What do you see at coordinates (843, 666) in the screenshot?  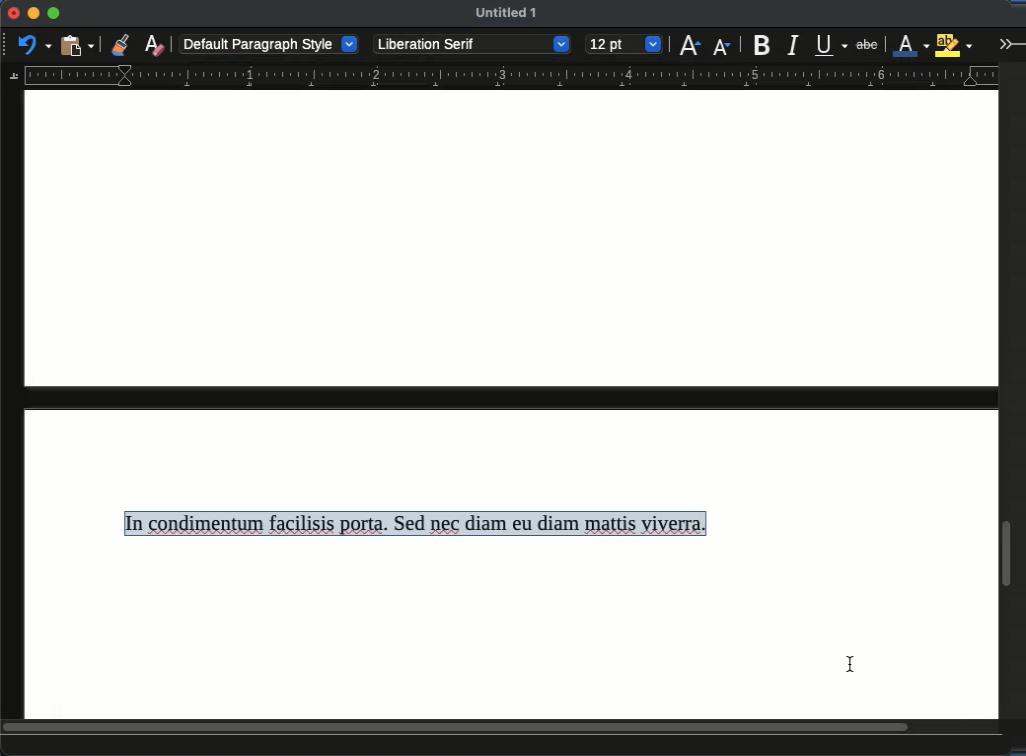 I see `cursor` at bounding box center [843, 666].